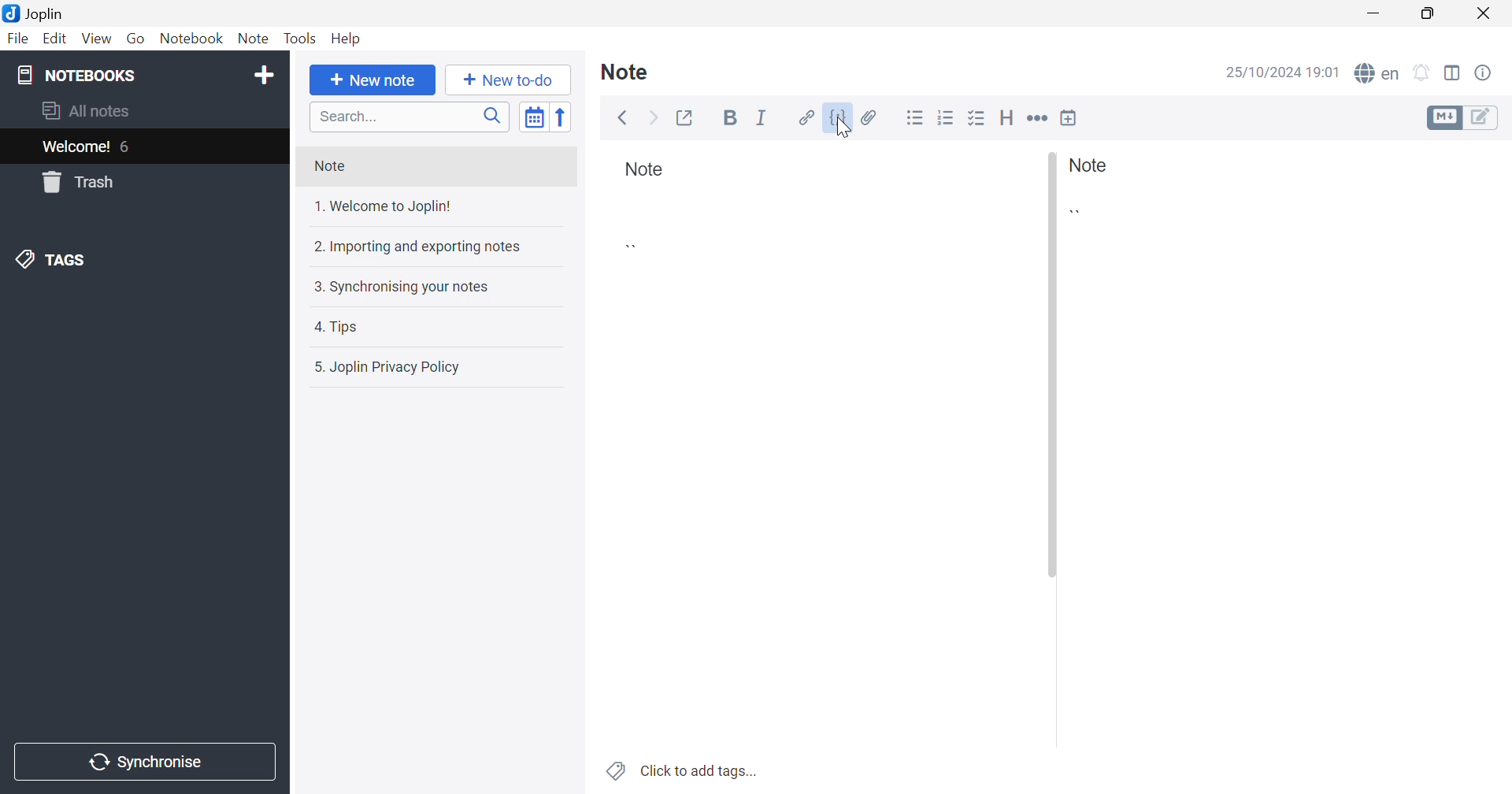 This screenshot has height=794, width=1512. Describe the element at coordinates (1086, 165) in the screenshot. I see `Note` at that location.